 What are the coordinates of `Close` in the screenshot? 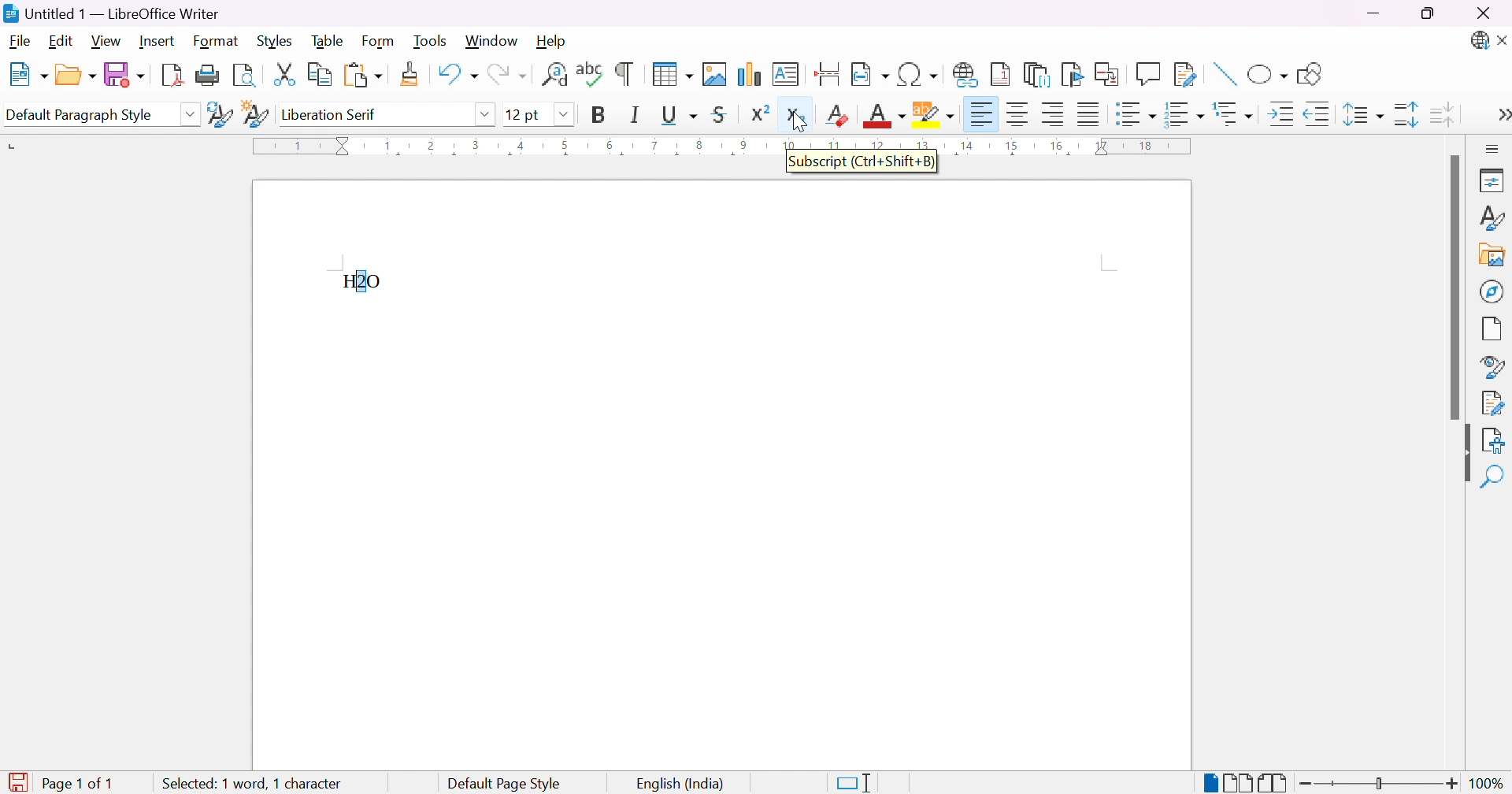 It's located at (1483, 14).